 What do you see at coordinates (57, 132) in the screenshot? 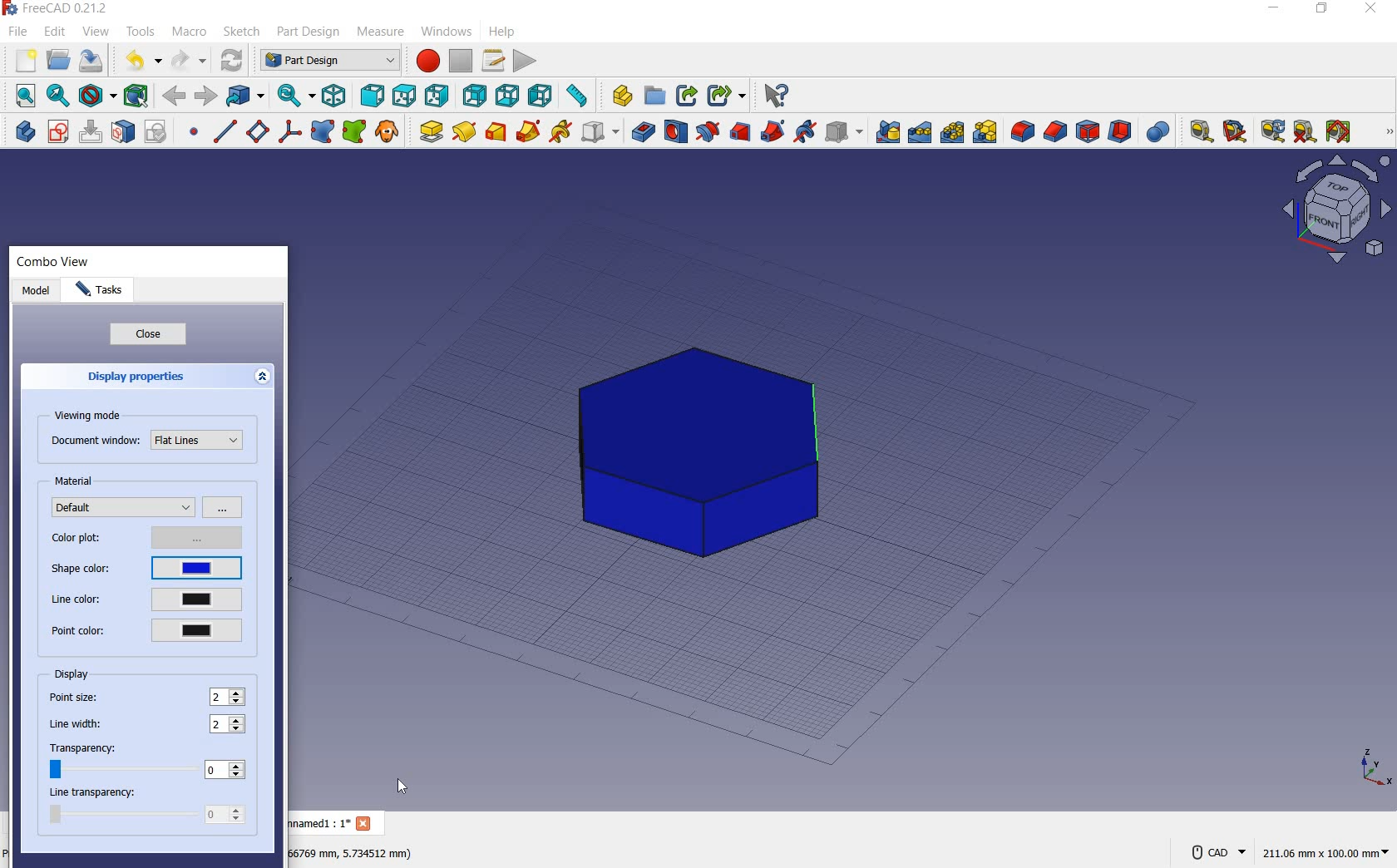
I see `create sketch` at bounding box center [57, 132].